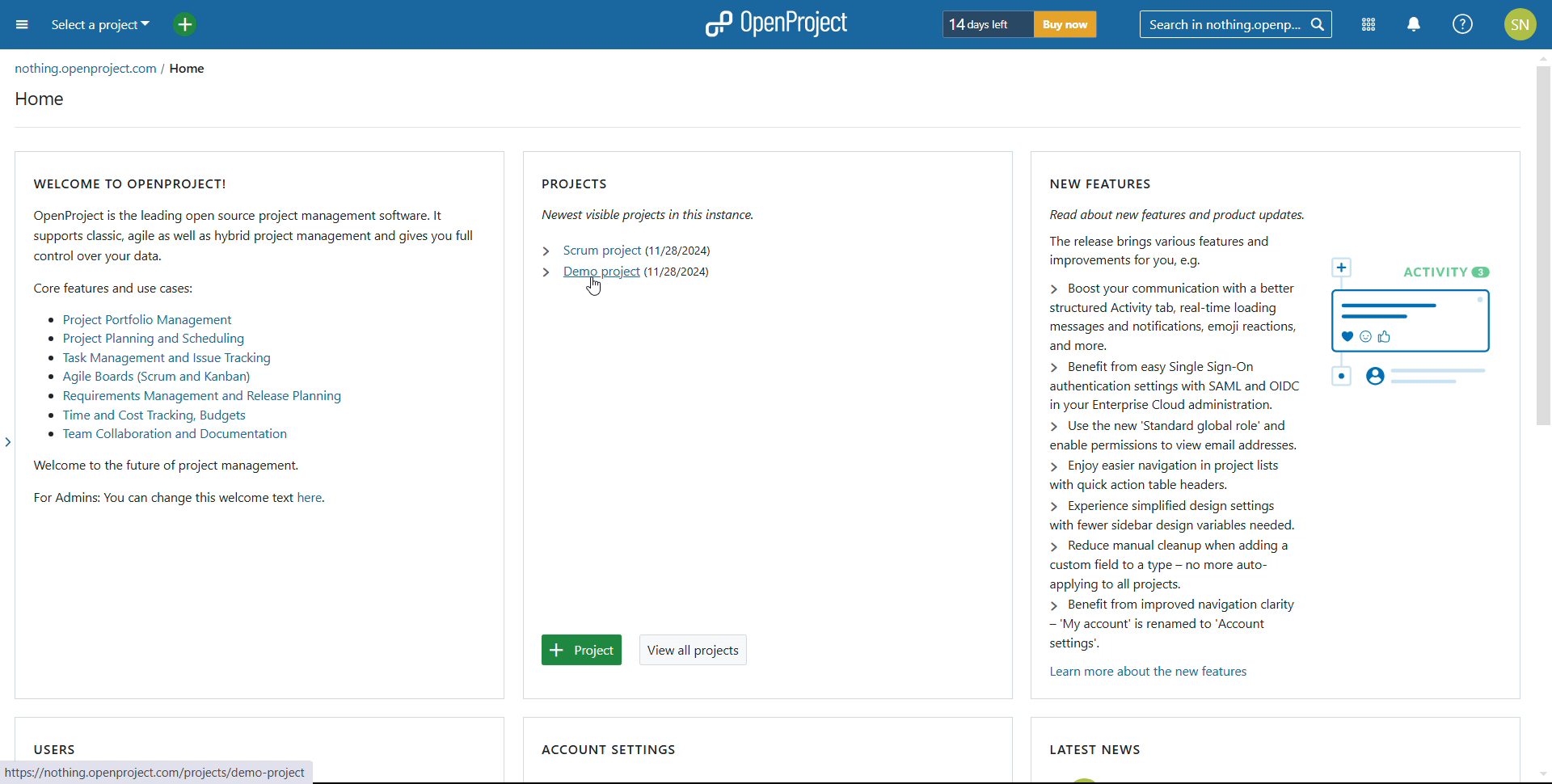  What do you see at coordinates (1463, 24) in the screenshot?
I see `help` at bounding box center [1463, 24].